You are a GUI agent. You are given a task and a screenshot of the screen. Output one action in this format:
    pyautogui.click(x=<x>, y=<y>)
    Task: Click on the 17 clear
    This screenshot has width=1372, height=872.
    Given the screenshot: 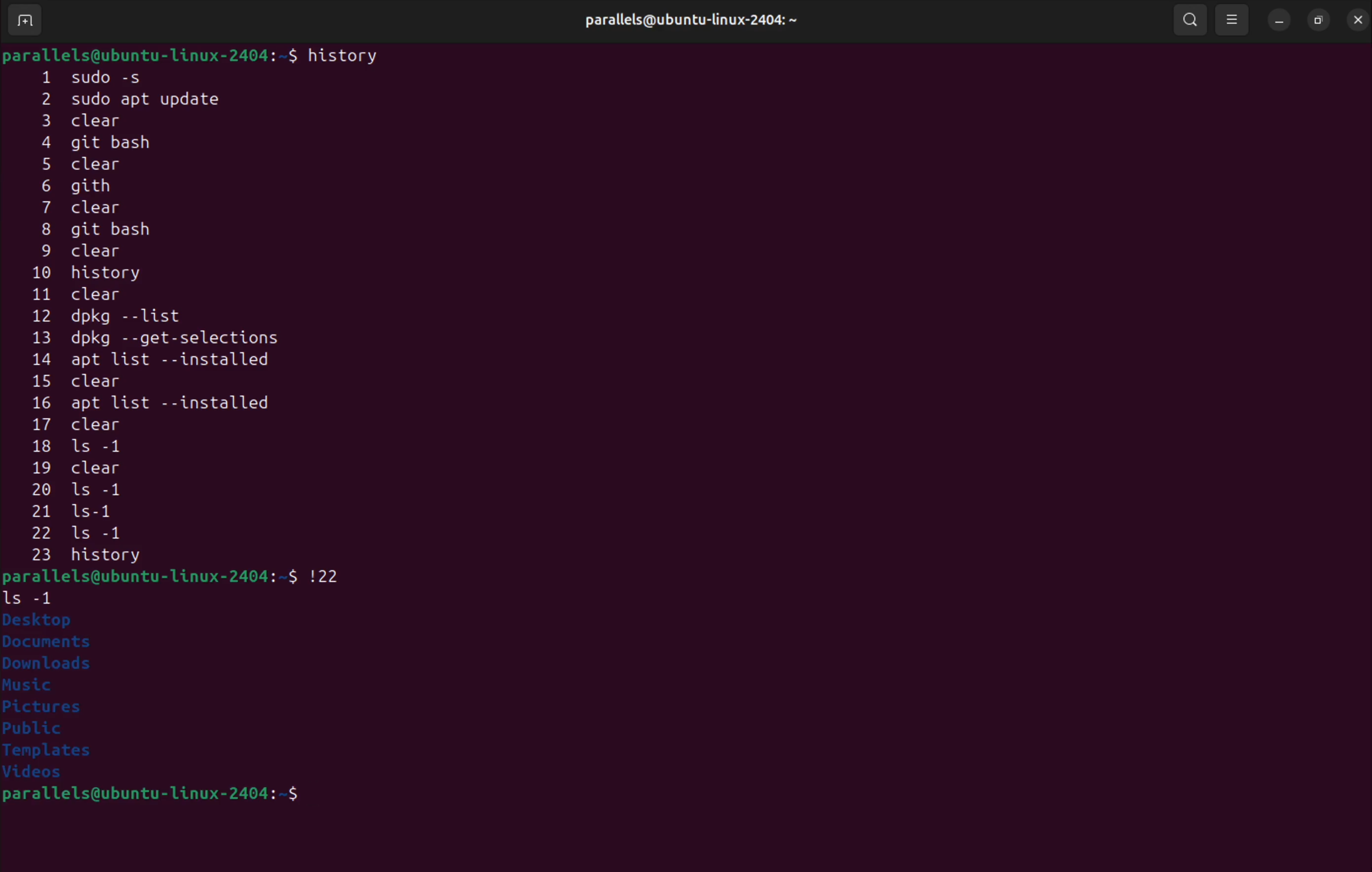 What is the action you would take?
    pyautogui.click(x=89, y=427)
    